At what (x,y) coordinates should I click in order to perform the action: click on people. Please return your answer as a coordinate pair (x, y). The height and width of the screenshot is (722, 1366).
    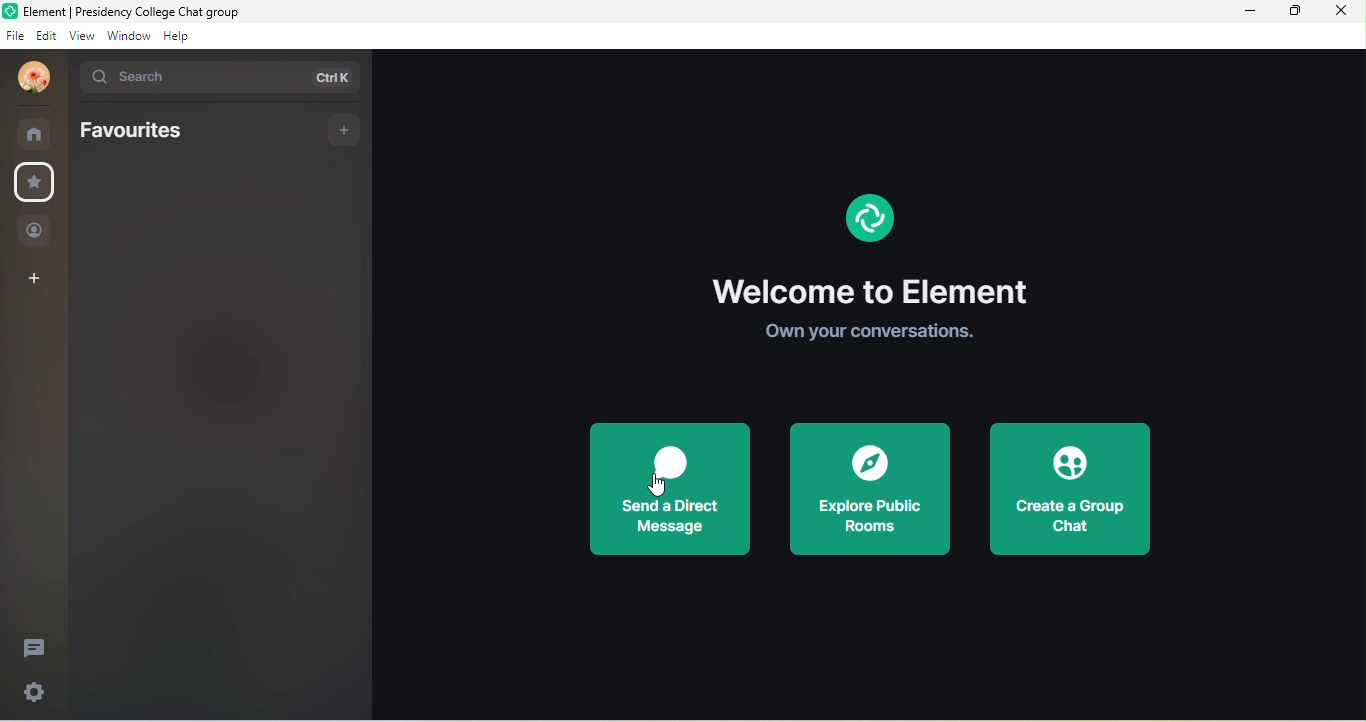
    Looking at the image, I should click on (36, 231).